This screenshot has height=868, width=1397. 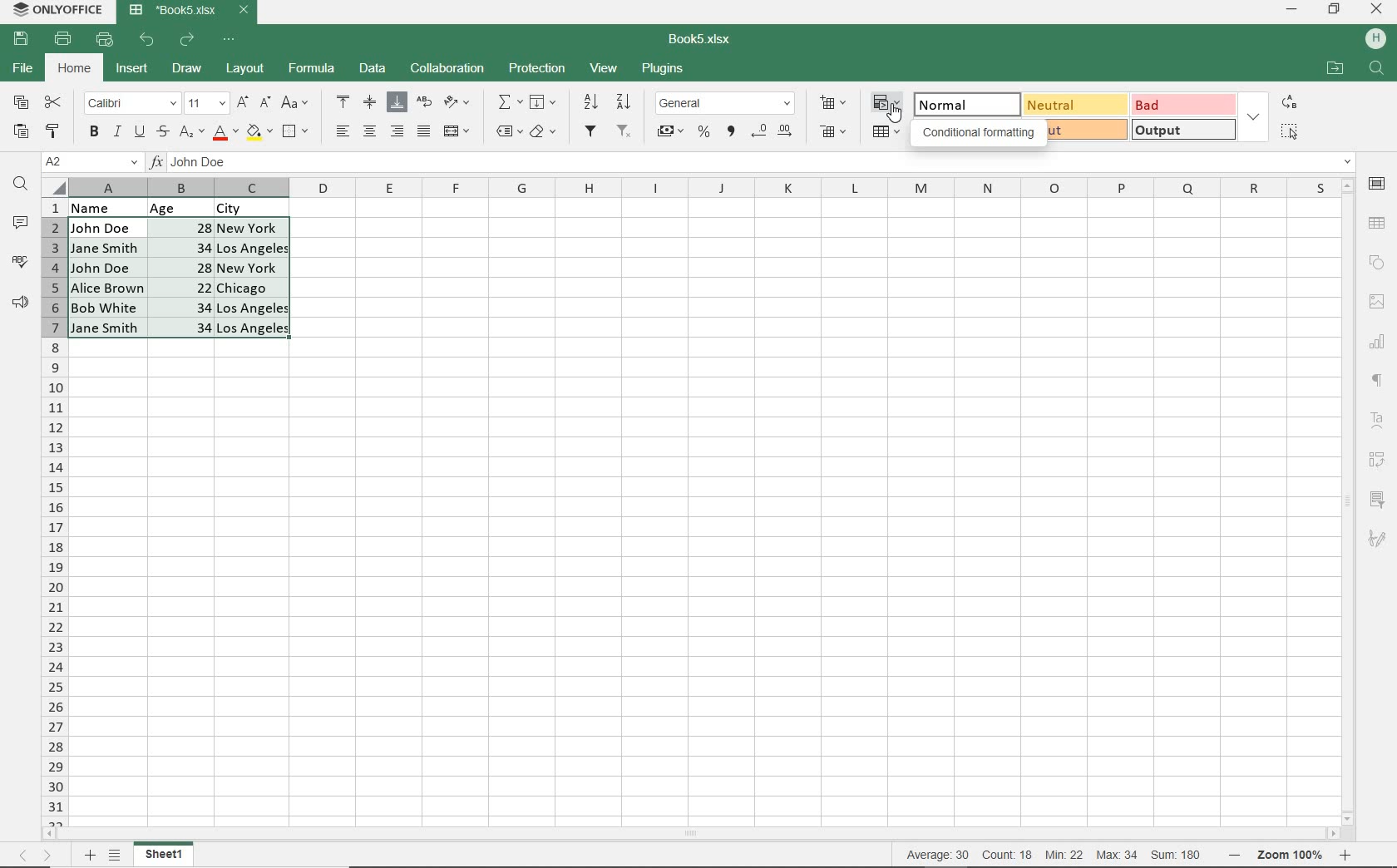 I want to click on Add sheets, so click(x=87, y=855).